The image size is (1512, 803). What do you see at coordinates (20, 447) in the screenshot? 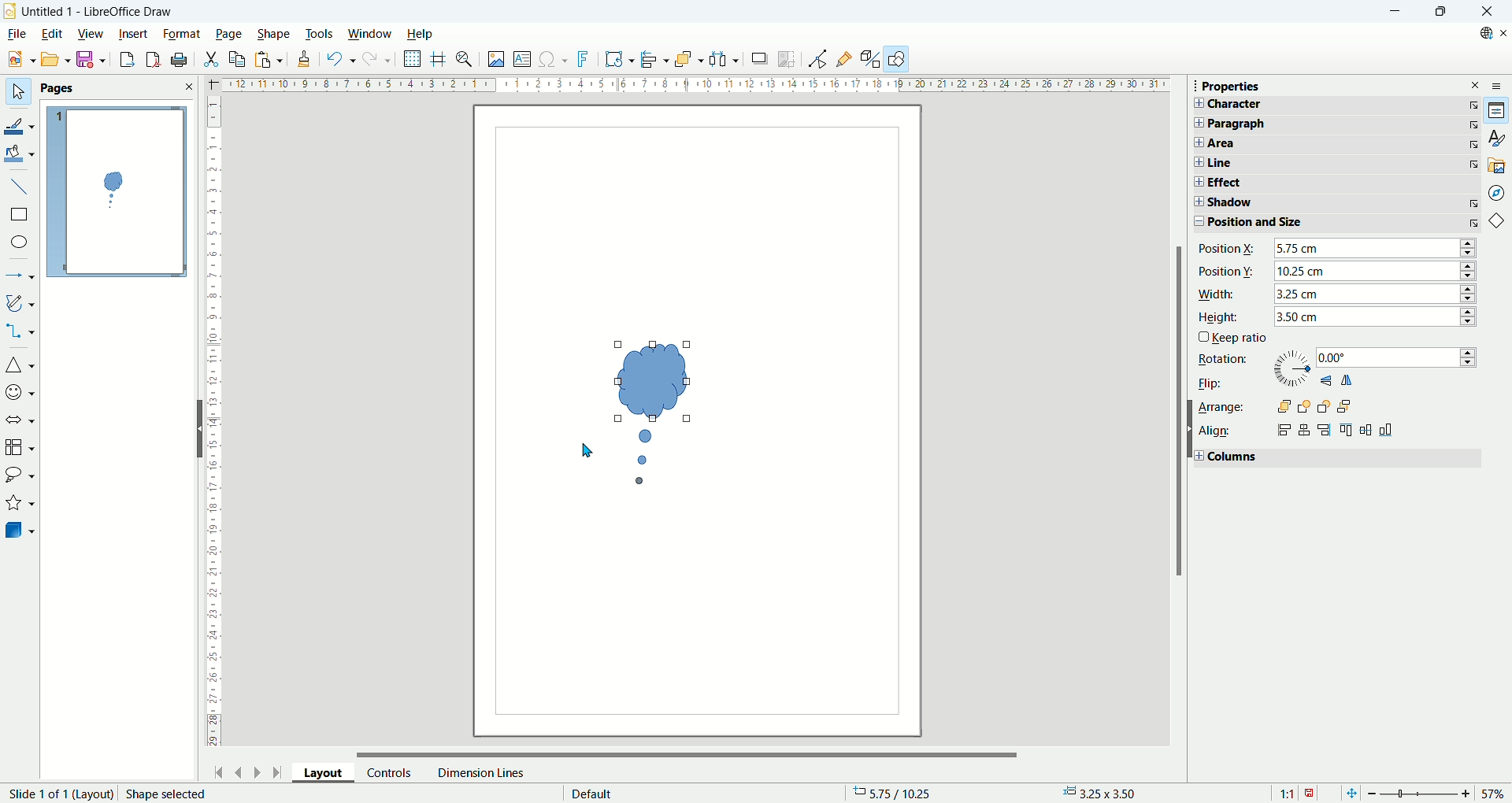
I see `flowchart` at bounding box center [20, 447].